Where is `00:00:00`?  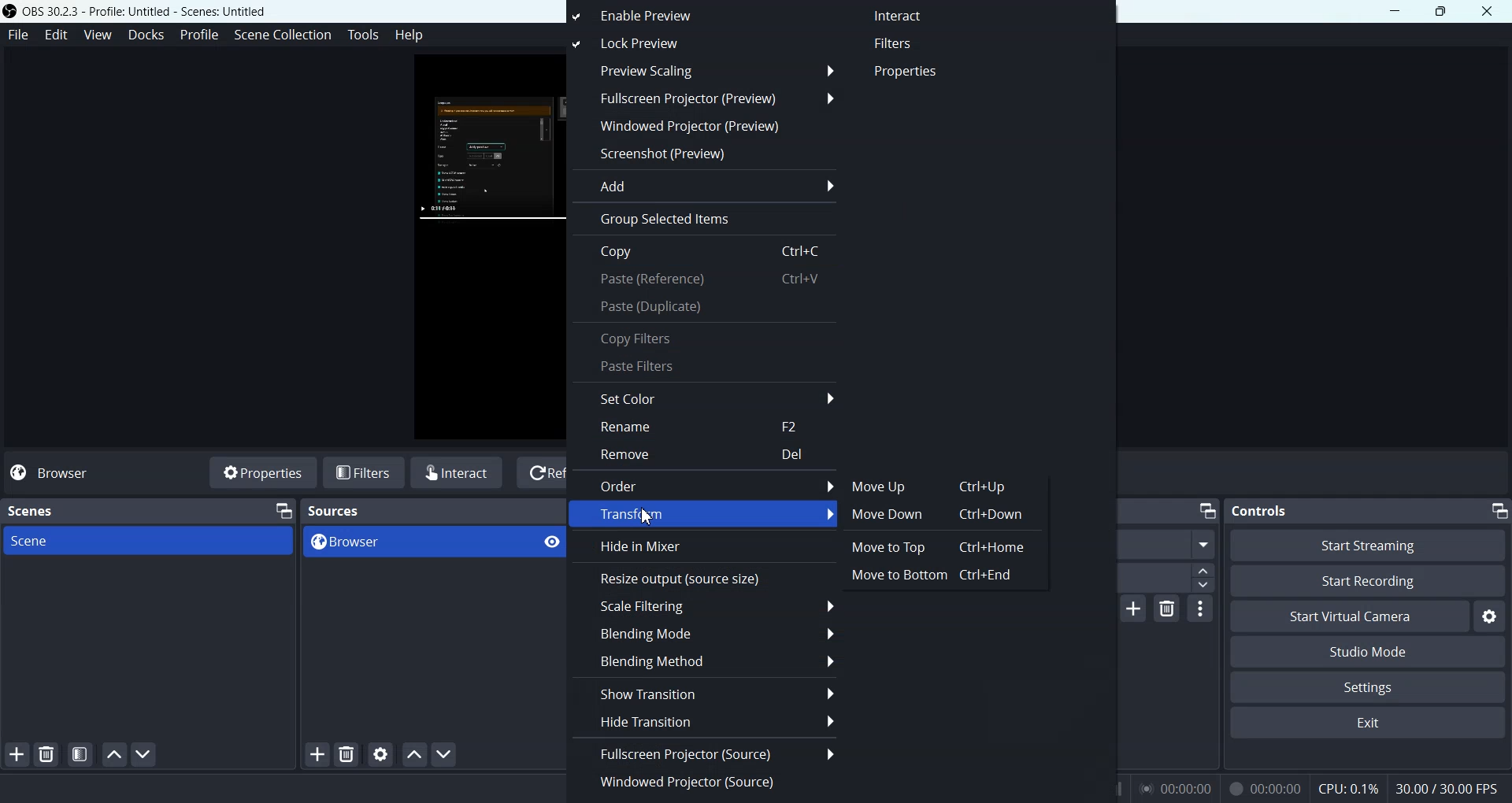
00:00:00 is located at coordinates (1263, 788).